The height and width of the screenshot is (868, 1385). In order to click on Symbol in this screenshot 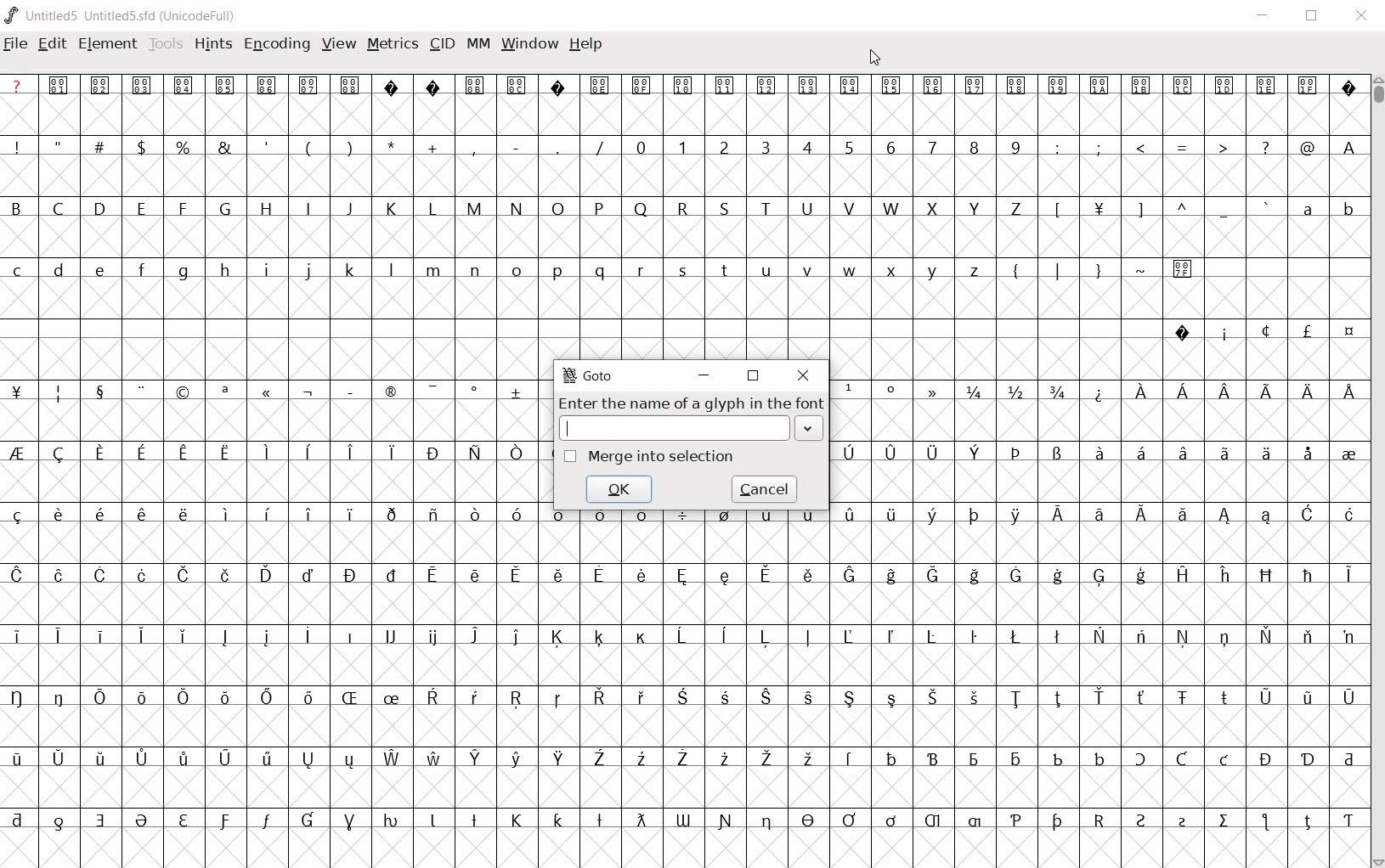, I will do `click(224, 573)`.